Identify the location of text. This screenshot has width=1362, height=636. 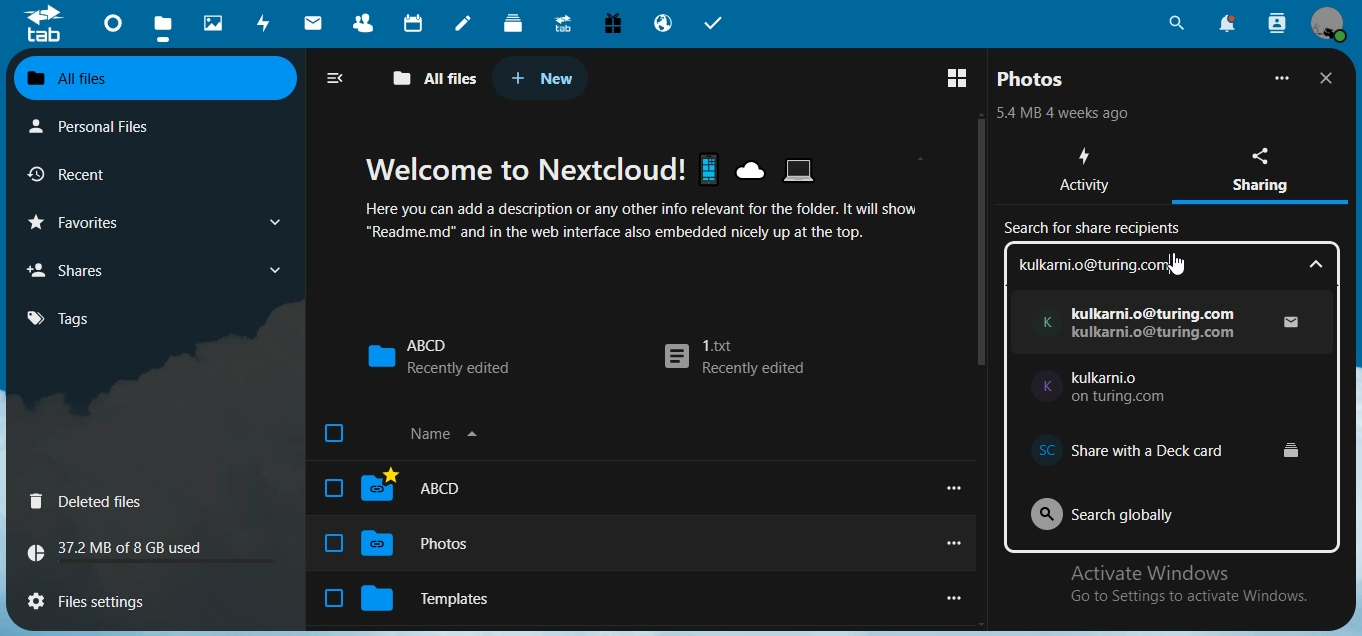
(124, 551).